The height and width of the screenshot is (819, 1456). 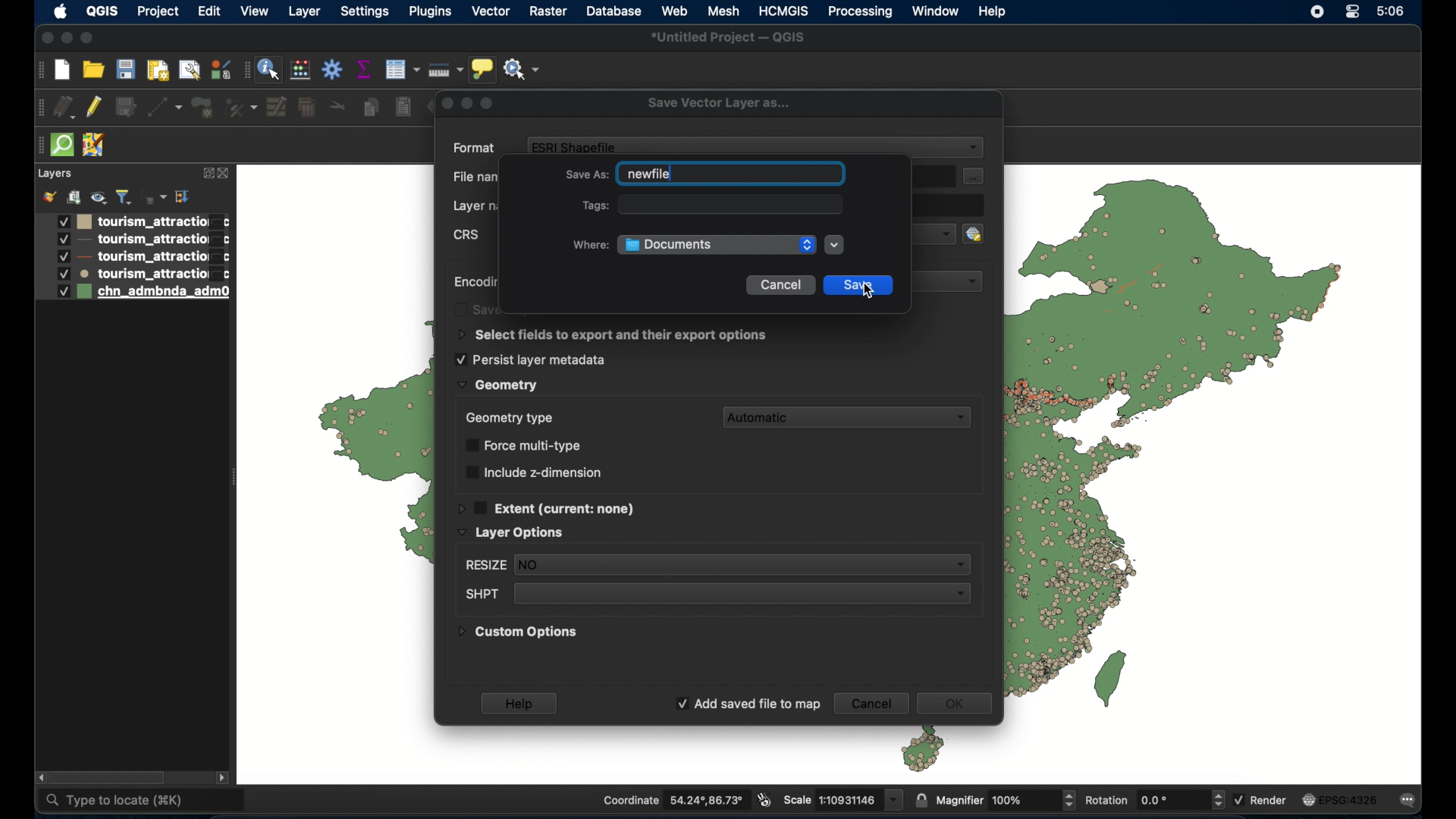 What do you see at coordinates (974, 149) in the screenshot?
I see `dropdown` at bounding box center [974, 149].